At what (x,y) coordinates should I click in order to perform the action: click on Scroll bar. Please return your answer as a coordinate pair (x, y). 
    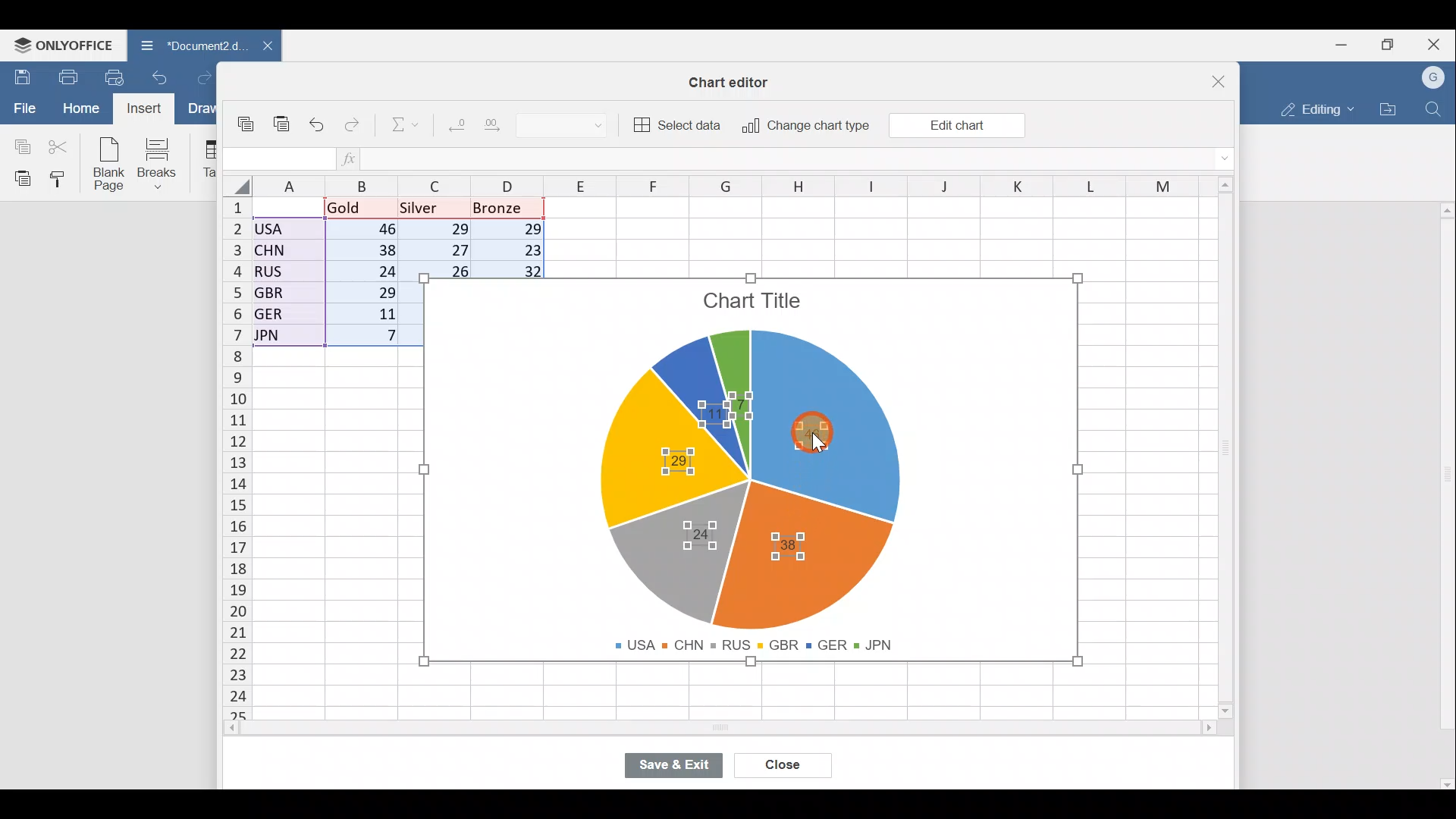
    Looking at the image, I should click on (1442, 490).